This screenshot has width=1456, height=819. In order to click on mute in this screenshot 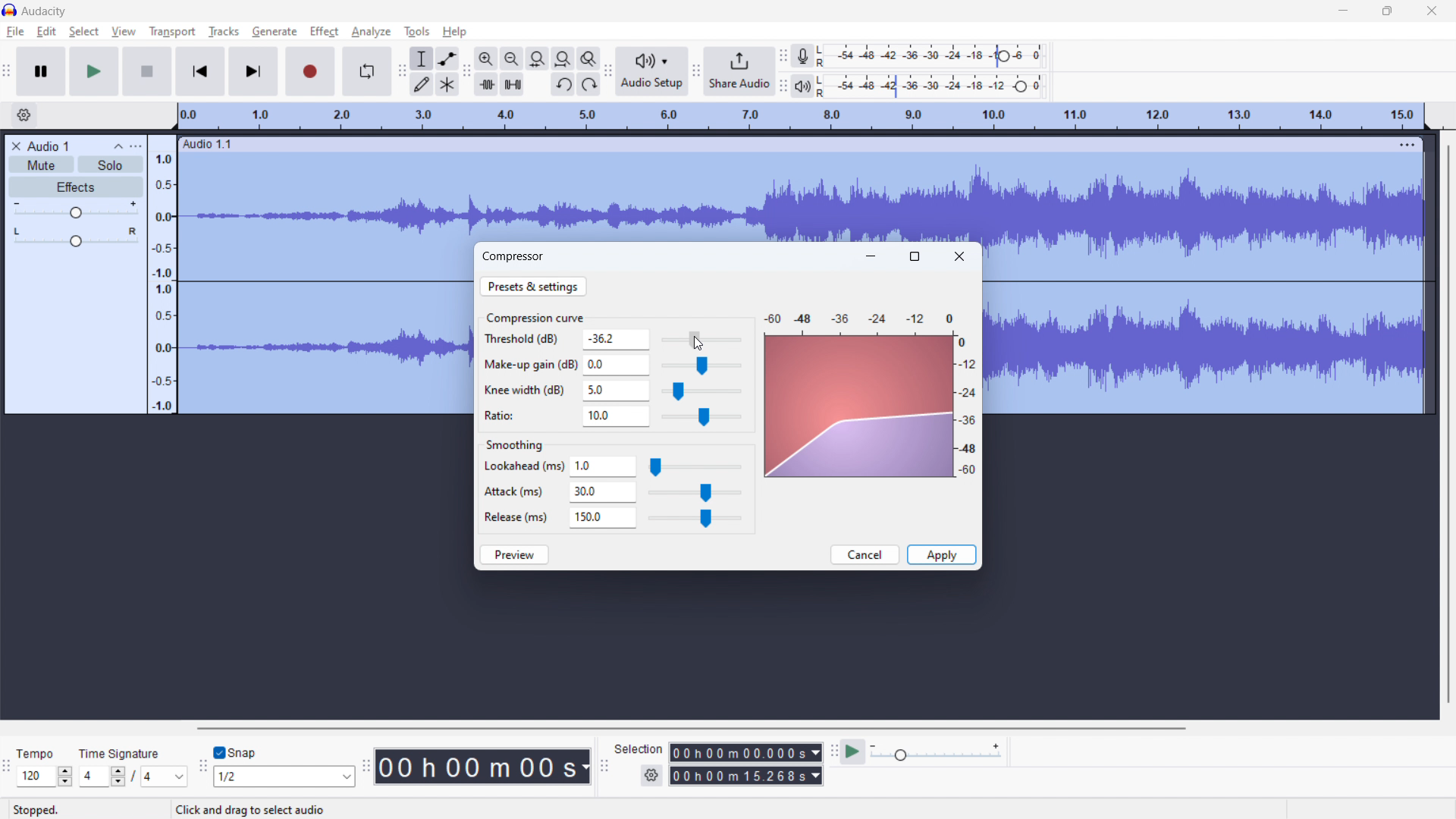, I will do `click(42, 165)`.